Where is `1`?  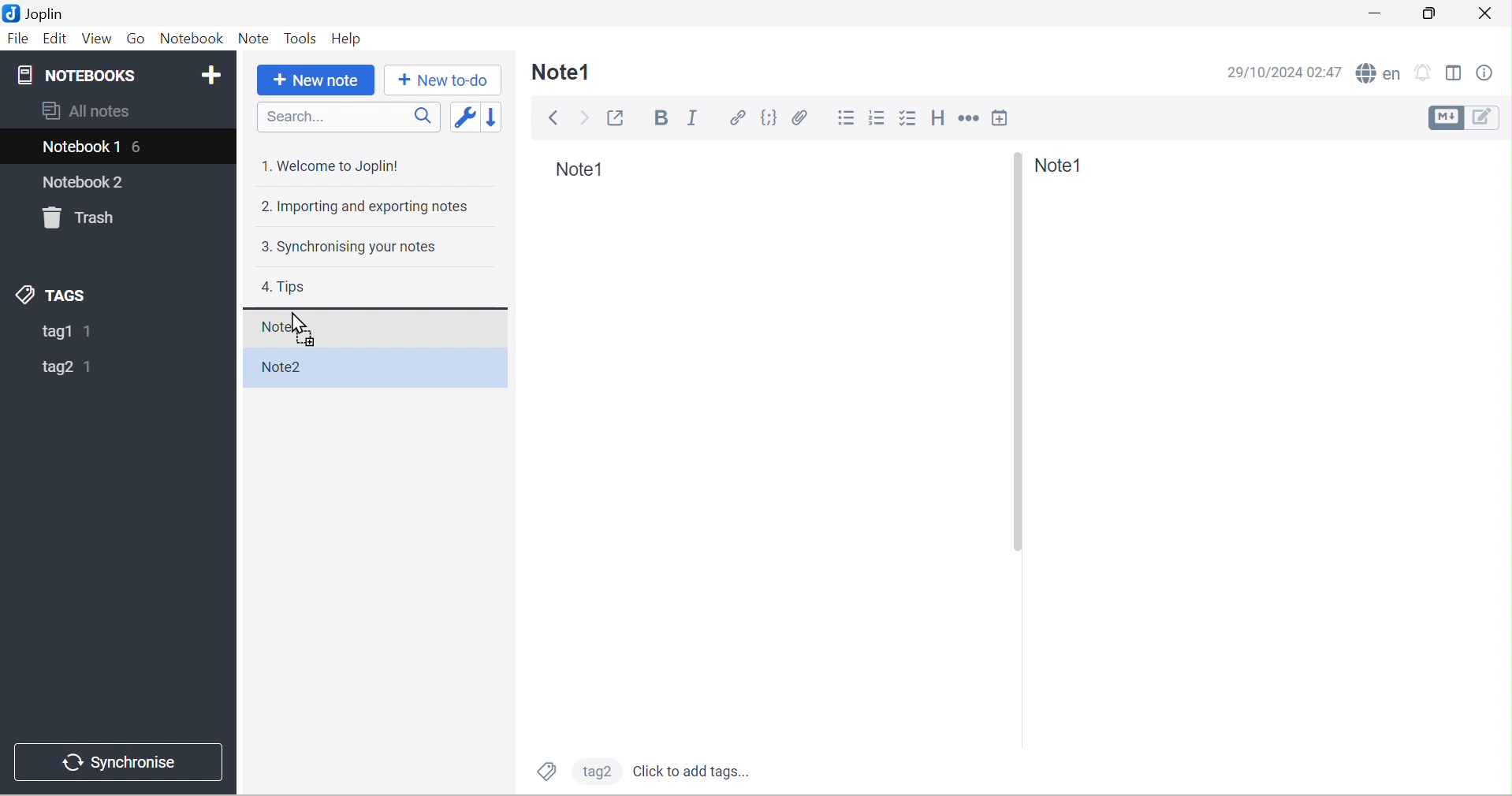 1 is located at coordinates (88, 370).